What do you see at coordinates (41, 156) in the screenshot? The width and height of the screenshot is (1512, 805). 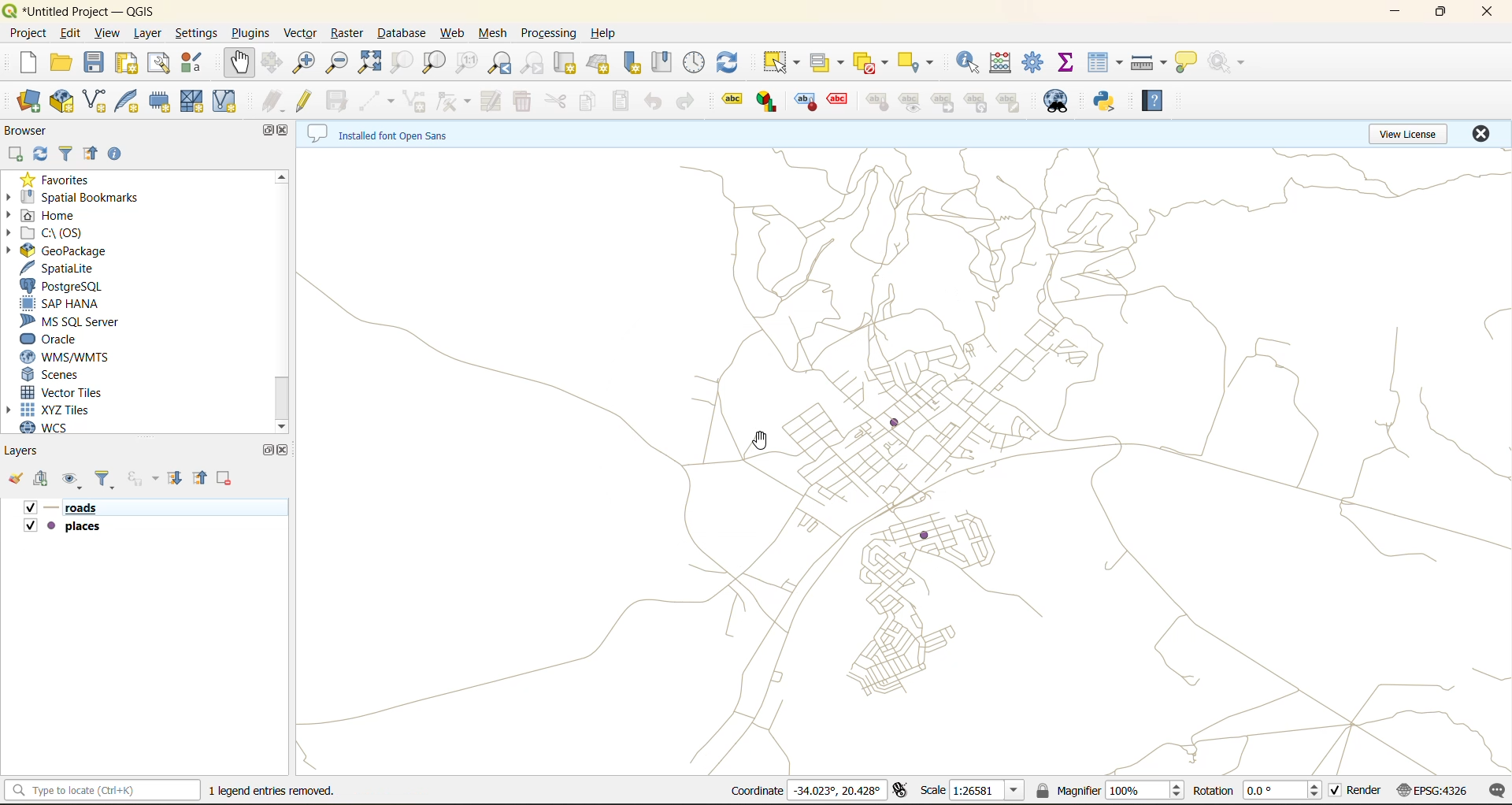 I see `refresh` at bounding box center [41, 156].